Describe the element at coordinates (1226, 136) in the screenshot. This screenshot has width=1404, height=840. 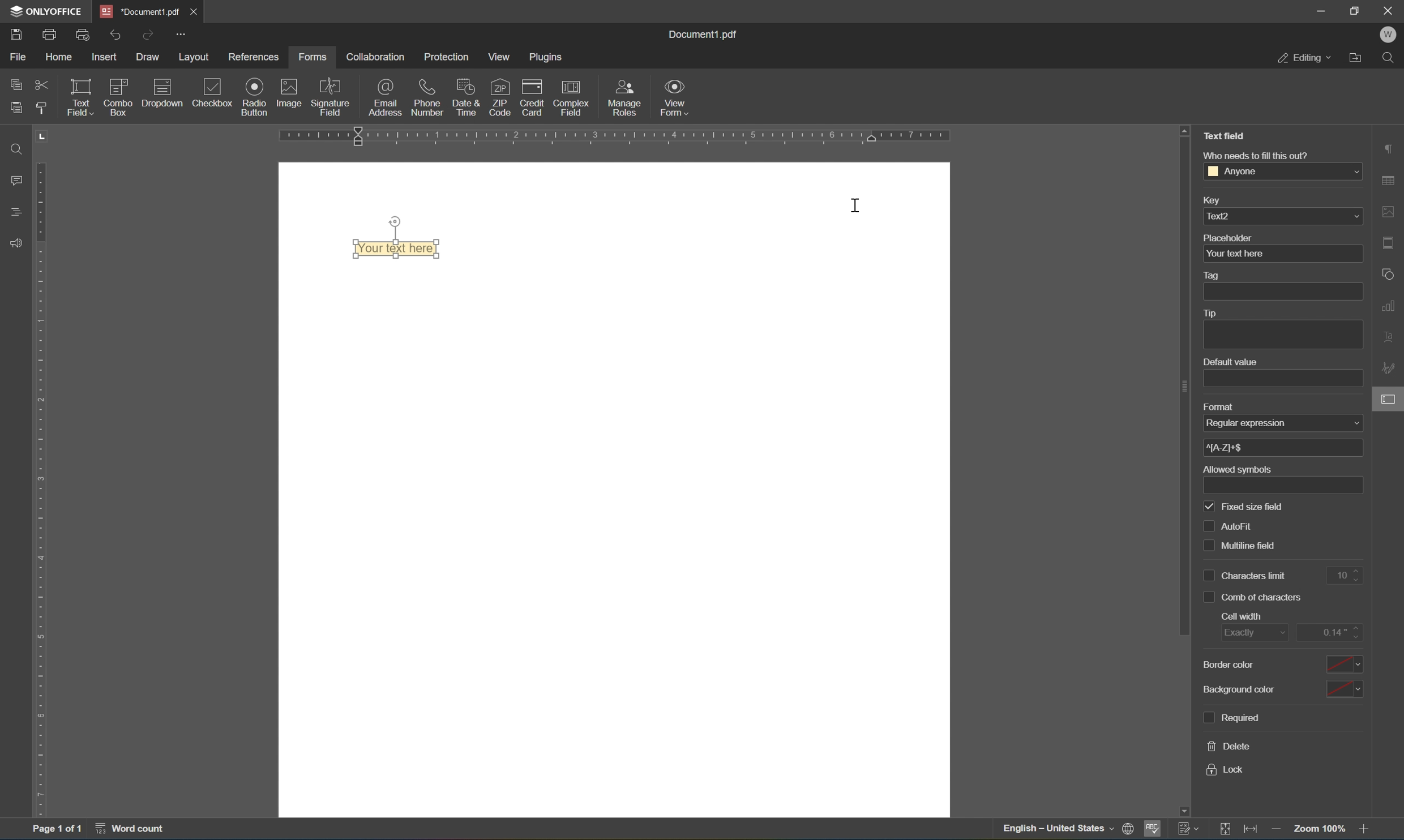
I see `Text Field` at that location.